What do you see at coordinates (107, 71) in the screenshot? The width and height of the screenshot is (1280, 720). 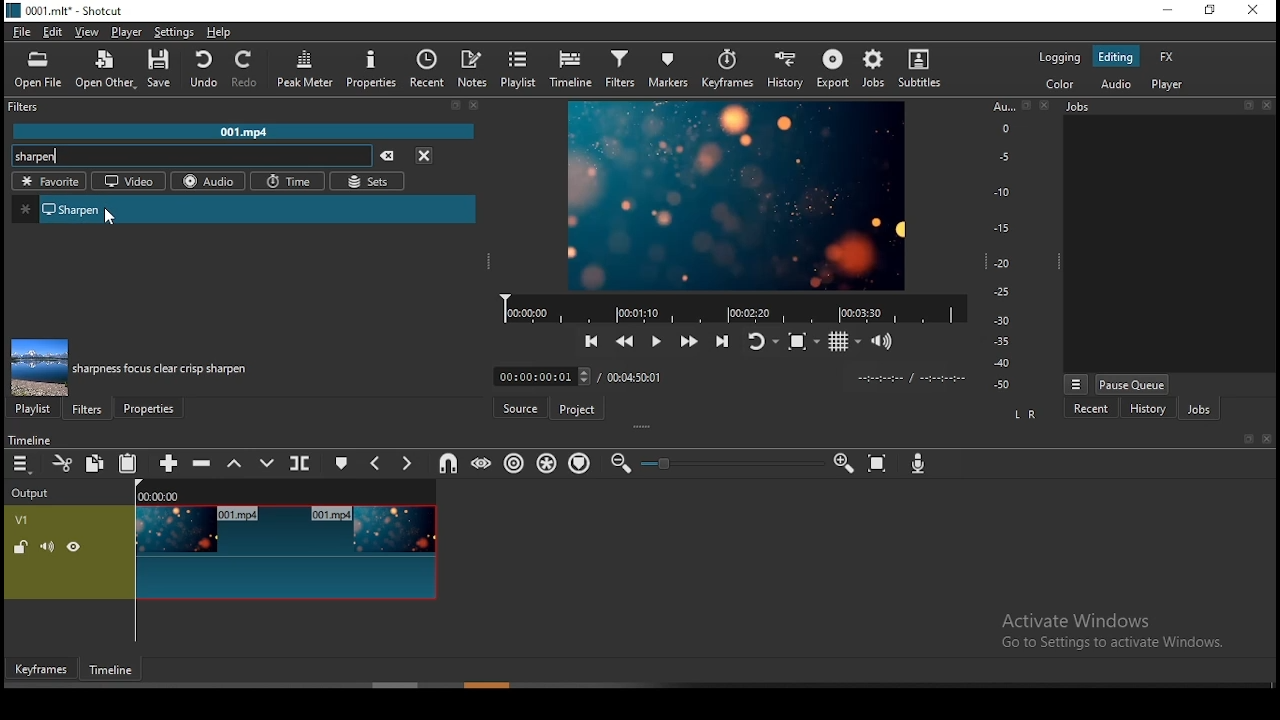 I see `open other` at bounding box center [107, 71].